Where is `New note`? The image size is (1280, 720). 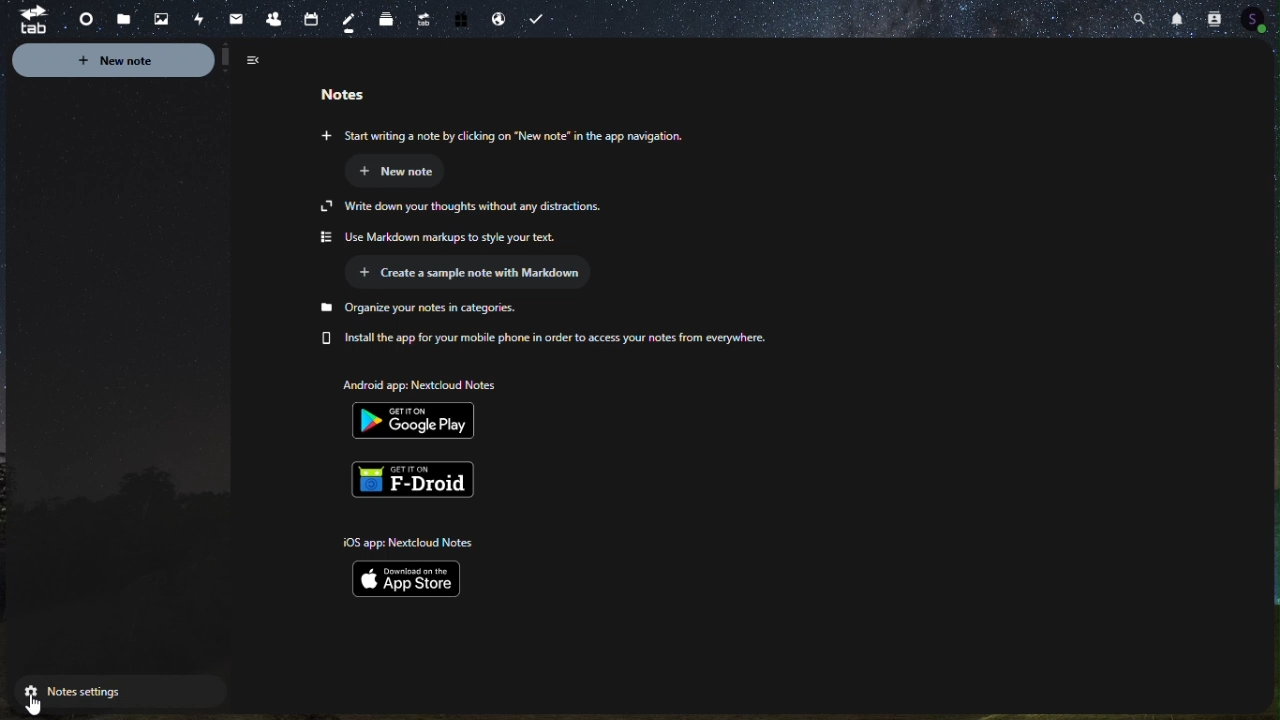 New note is located at coordinates (136, 61).